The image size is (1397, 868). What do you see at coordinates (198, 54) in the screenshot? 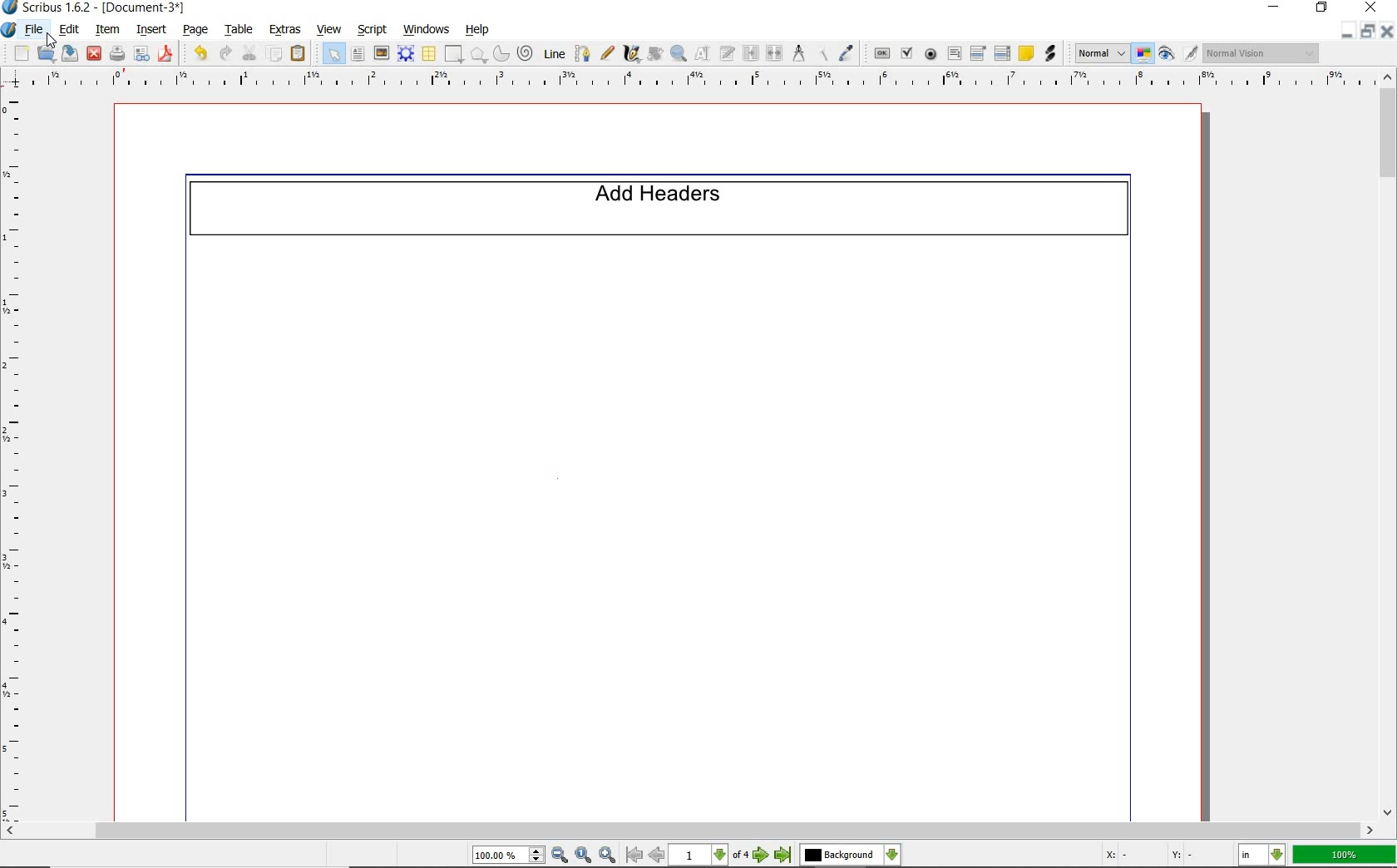
I see `undo` at bounding box center [198, 54].